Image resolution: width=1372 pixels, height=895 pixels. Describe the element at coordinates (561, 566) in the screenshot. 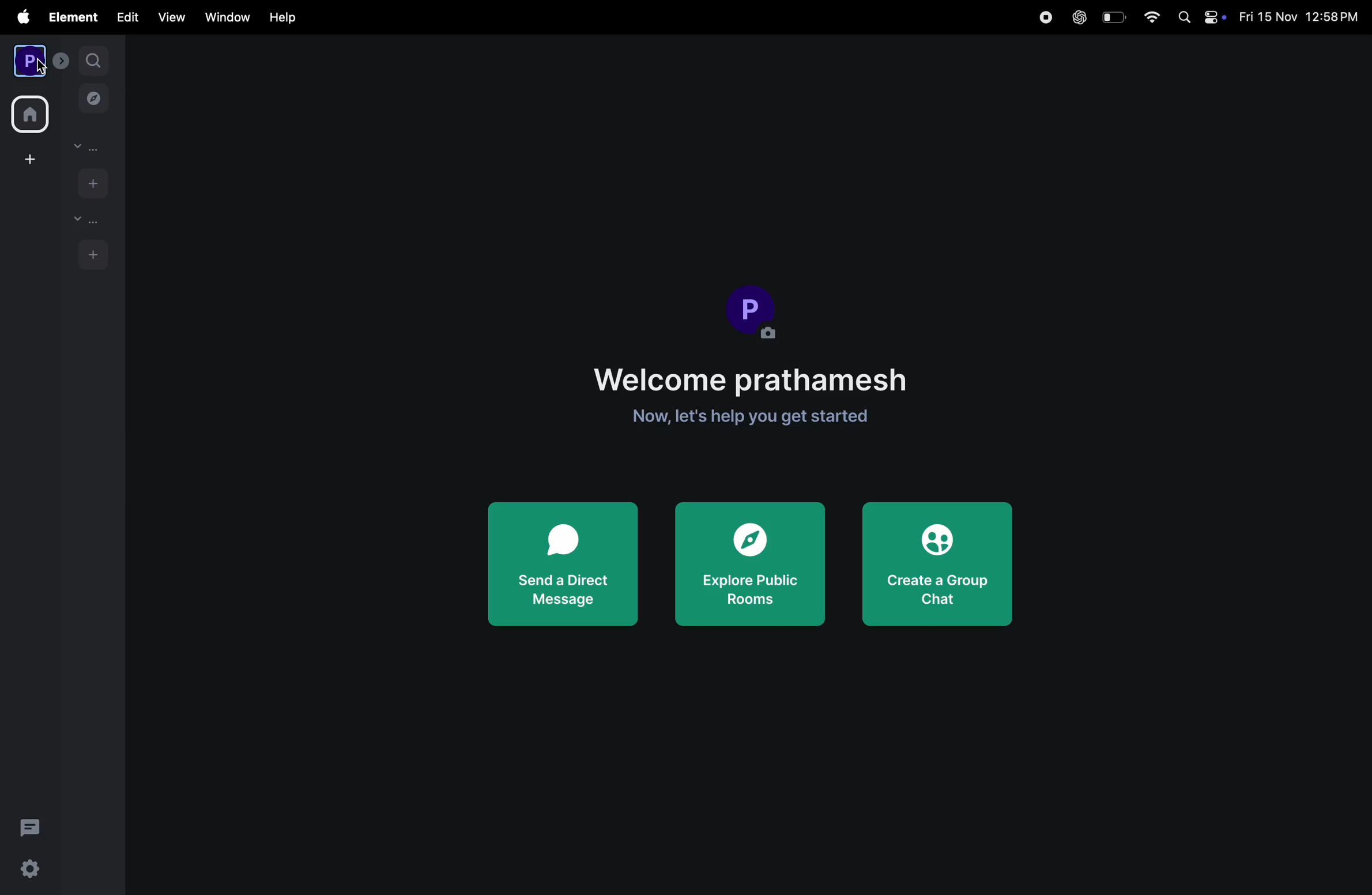

I see `Send direct message` at that location.